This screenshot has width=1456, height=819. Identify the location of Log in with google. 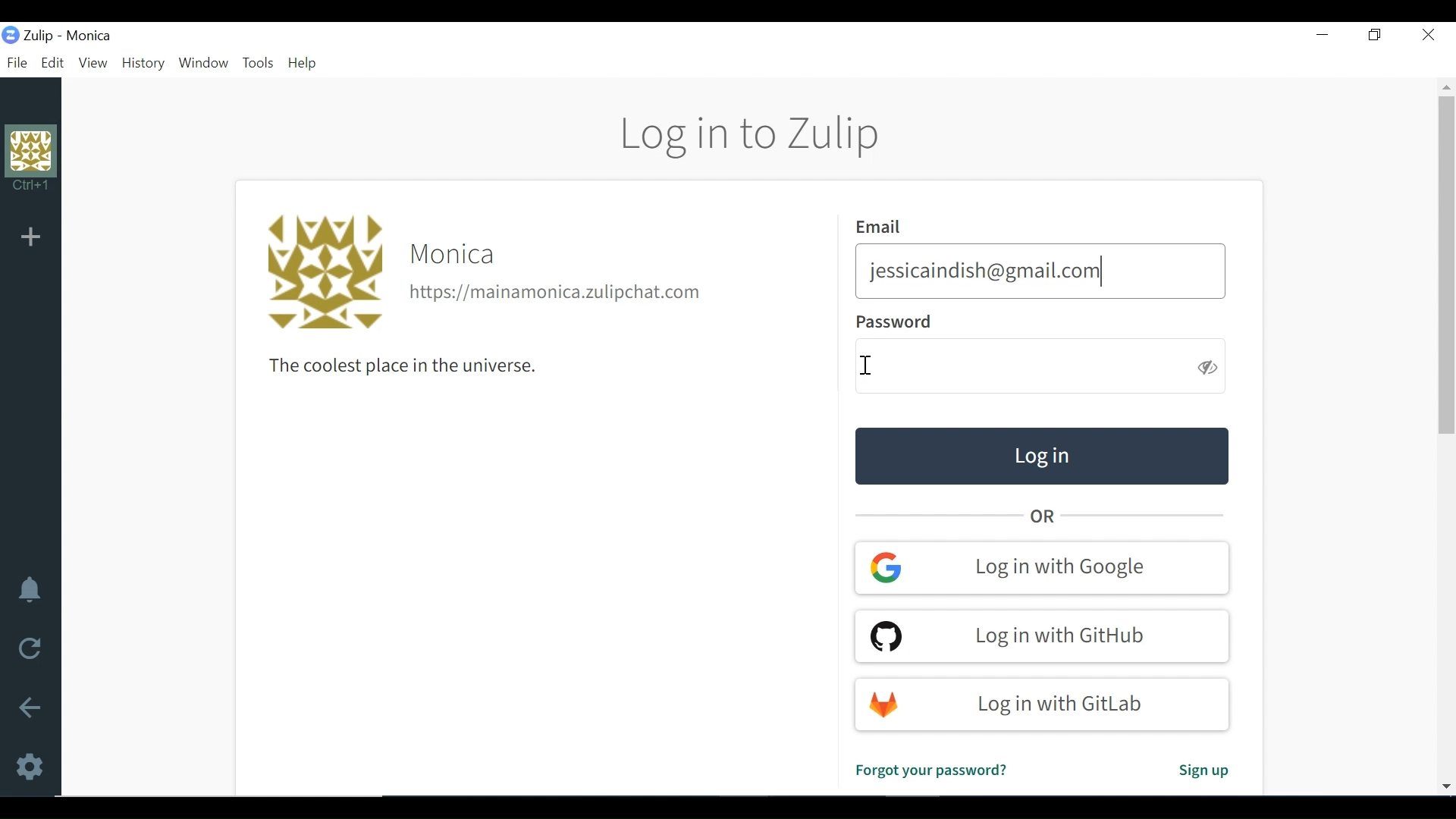
(1043, 567).